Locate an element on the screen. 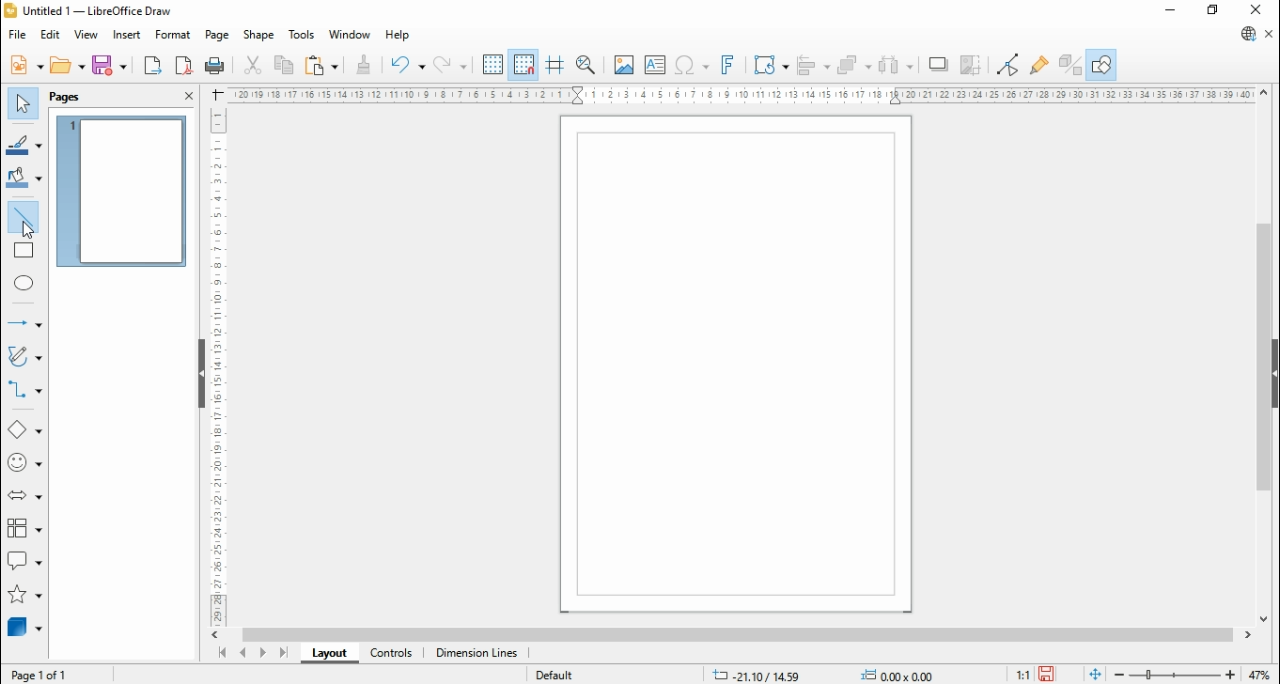  scroll bar is located at coordinates (737, 635).